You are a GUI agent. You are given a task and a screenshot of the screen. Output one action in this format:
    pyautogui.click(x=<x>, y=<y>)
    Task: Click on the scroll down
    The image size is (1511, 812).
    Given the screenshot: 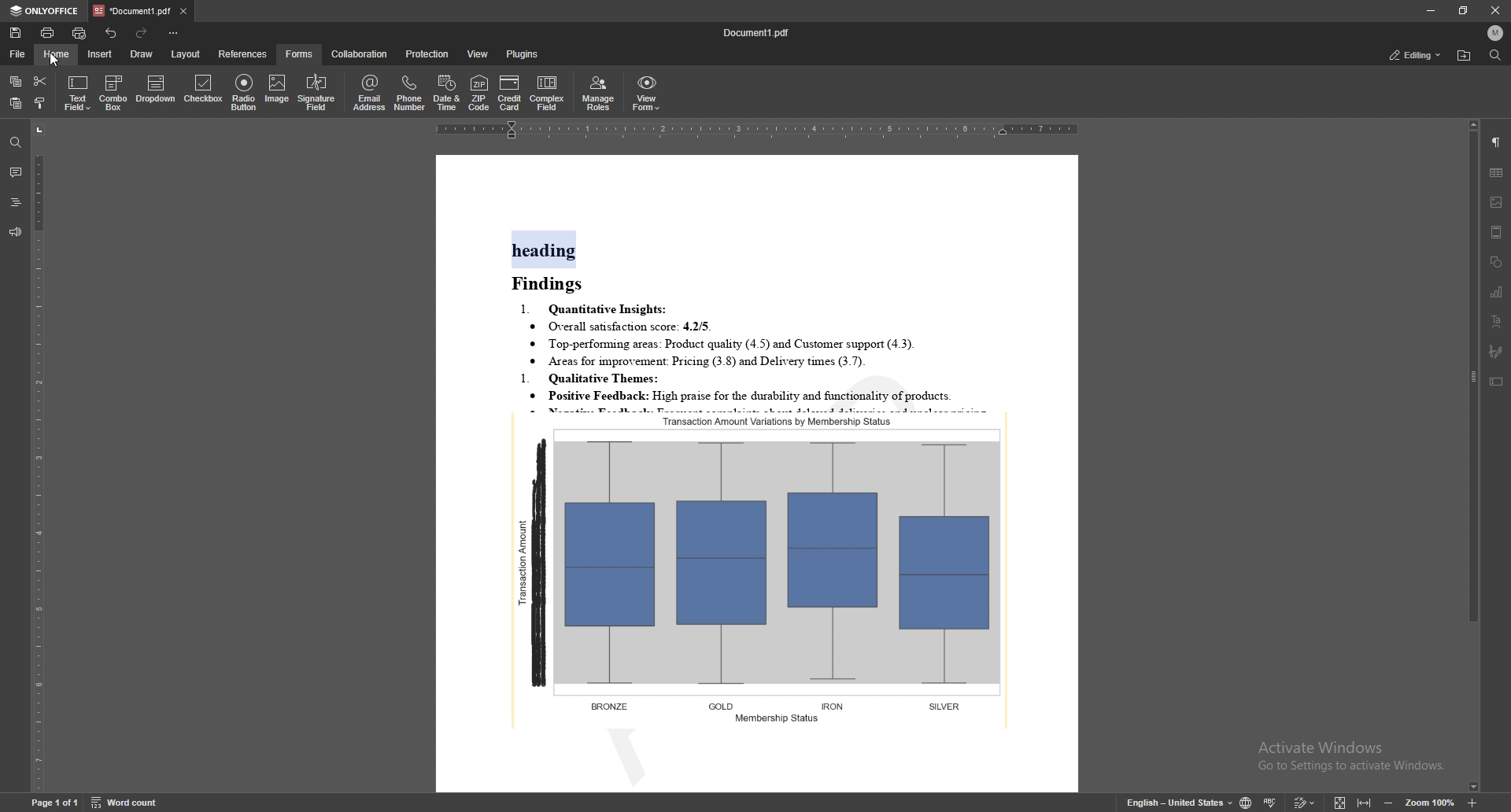 What is the action you would take?
    pyautogui.click(x=1472, y=788)
    